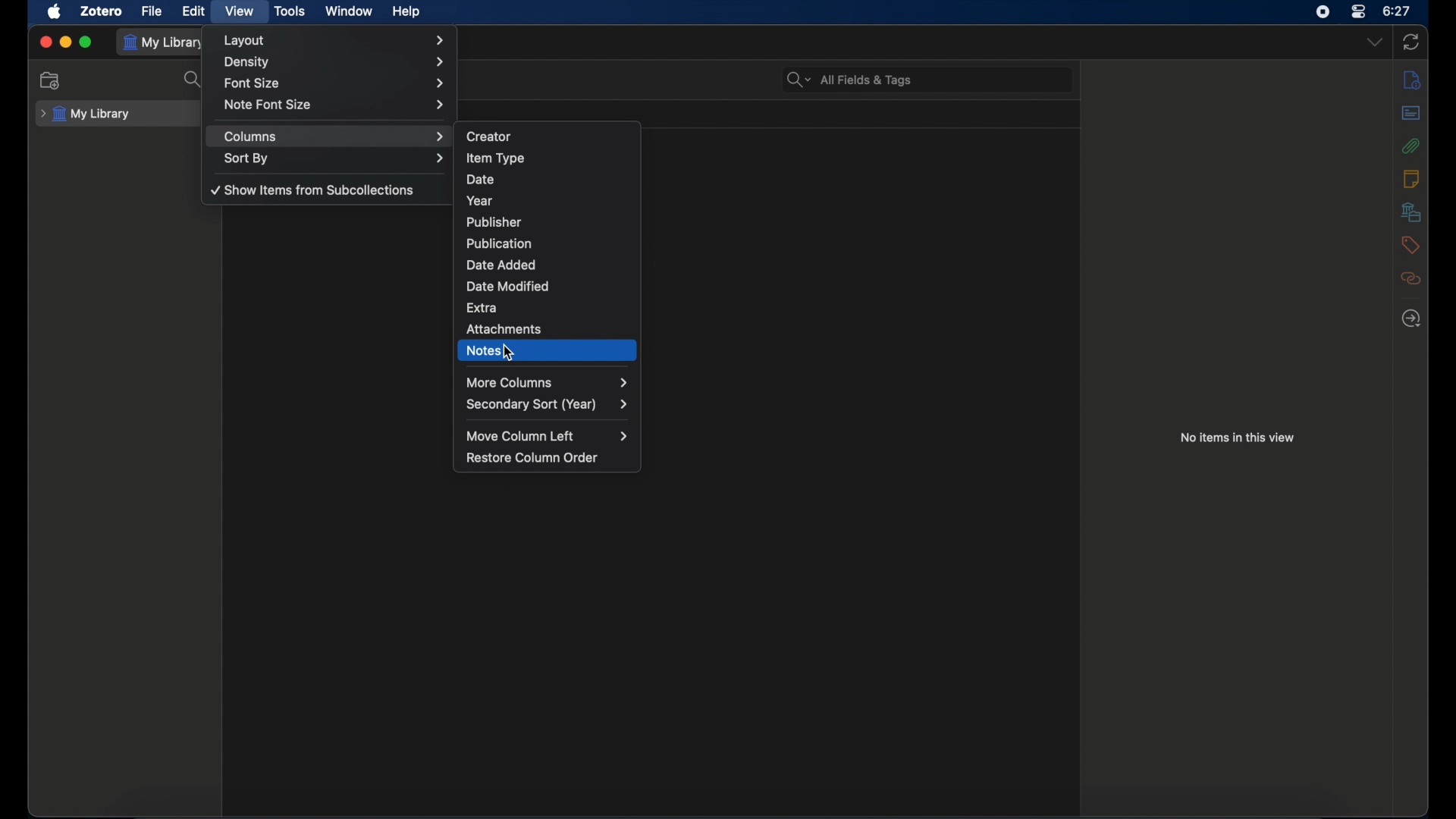  What do you see at coordinates (86, 114) in the screenshot?
I see `my library` at bounding box center [86, 114].